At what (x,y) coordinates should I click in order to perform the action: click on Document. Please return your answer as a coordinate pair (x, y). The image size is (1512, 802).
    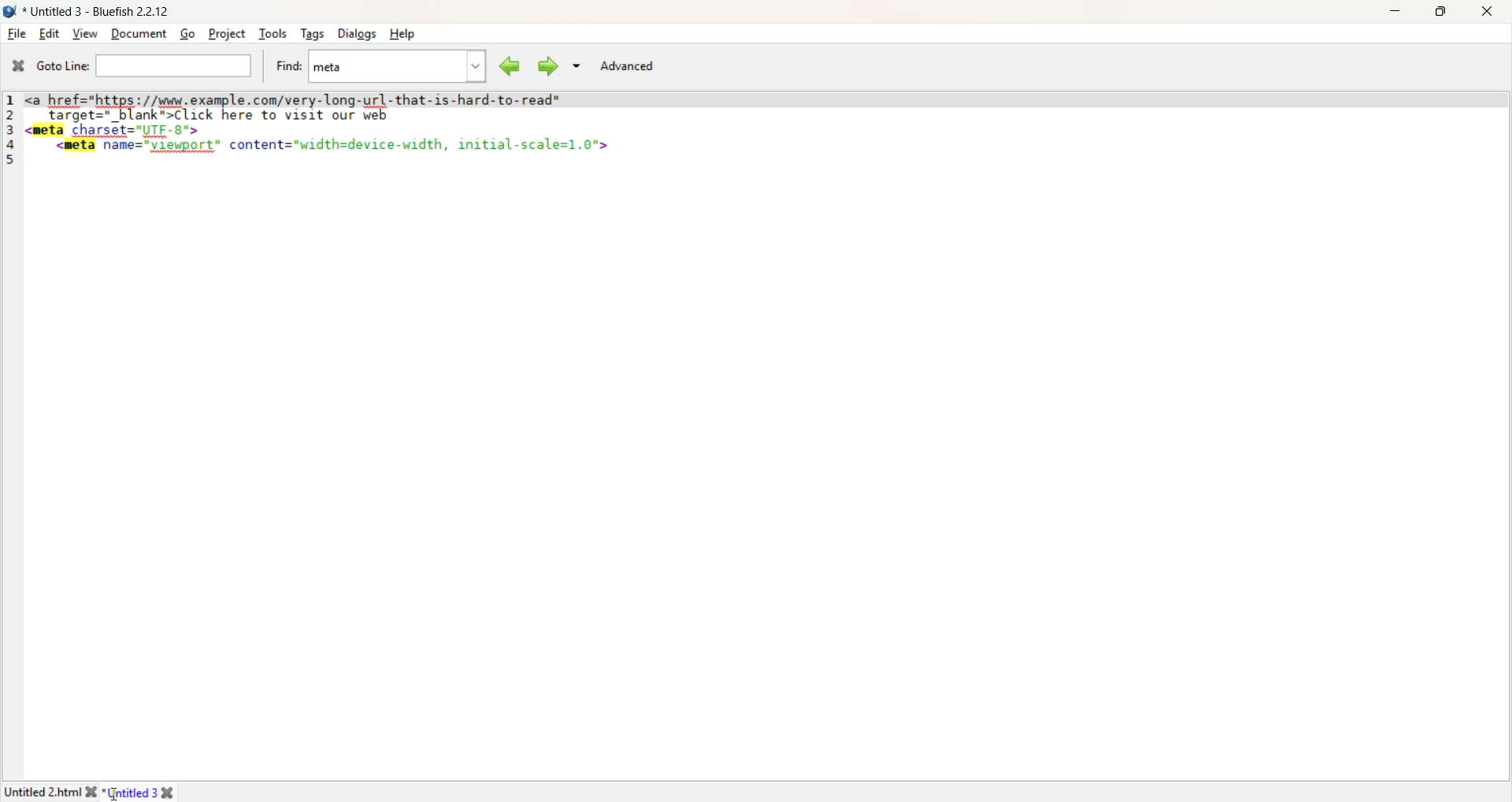
    Looking at the image, I should click on (138, 35).